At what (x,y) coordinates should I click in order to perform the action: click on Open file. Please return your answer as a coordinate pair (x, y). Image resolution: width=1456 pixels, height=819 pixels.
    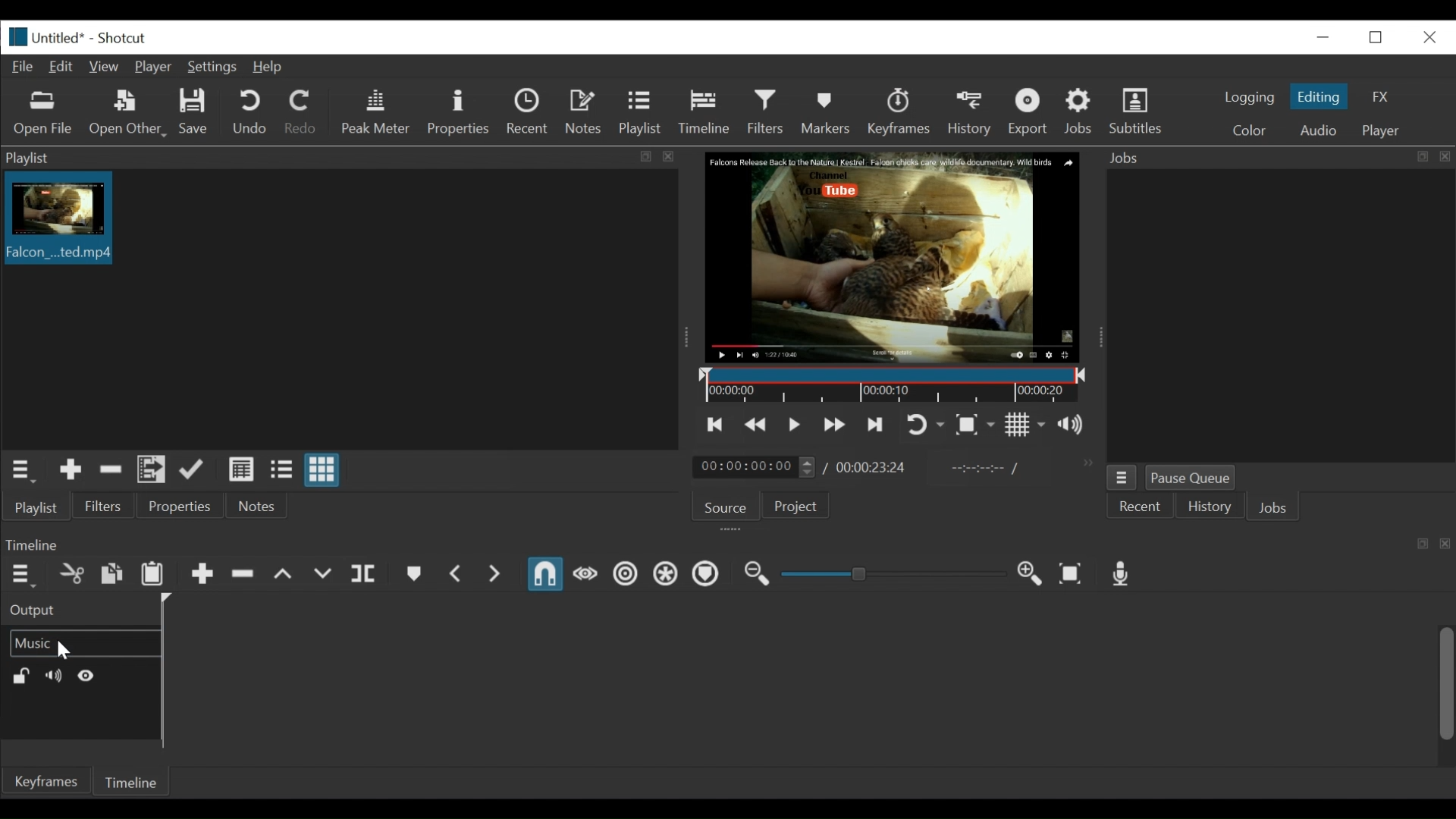
    Looking at the image, I should click on (42, 115).